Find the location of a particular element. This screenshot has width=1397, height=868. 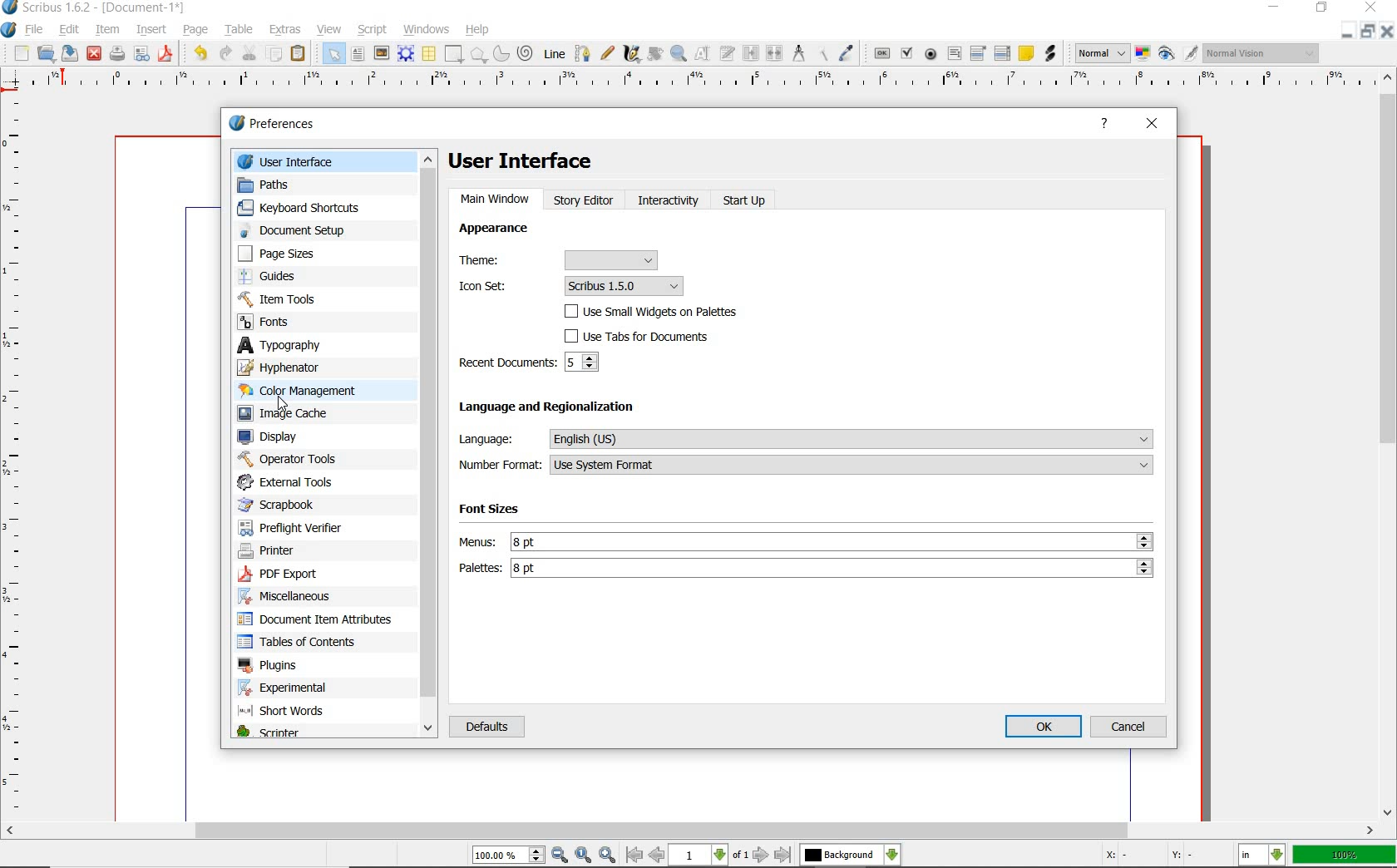

coordinates is located at coordinates (1148, 856).